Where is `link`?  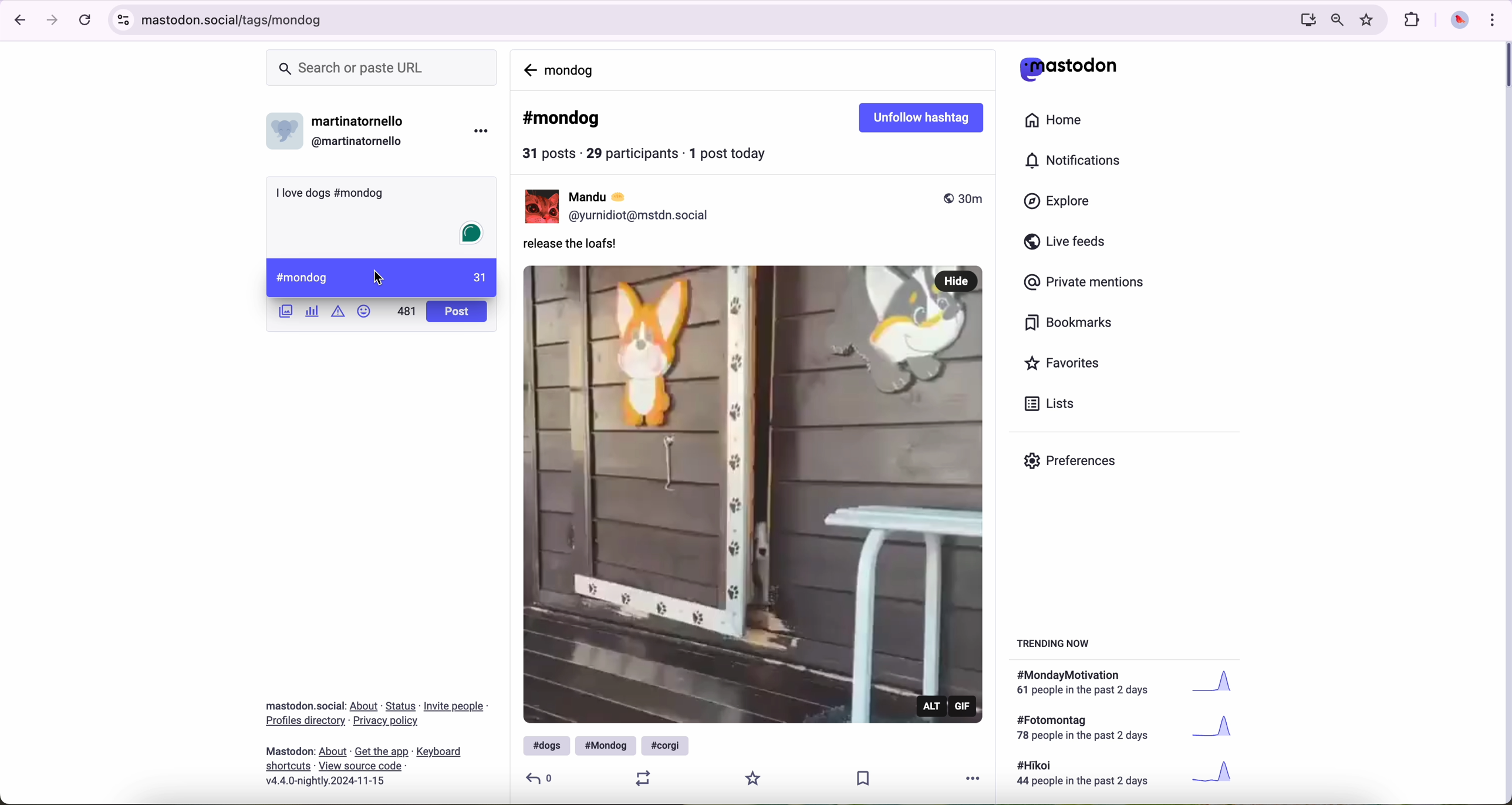
link is located at coordinates (439, 753).